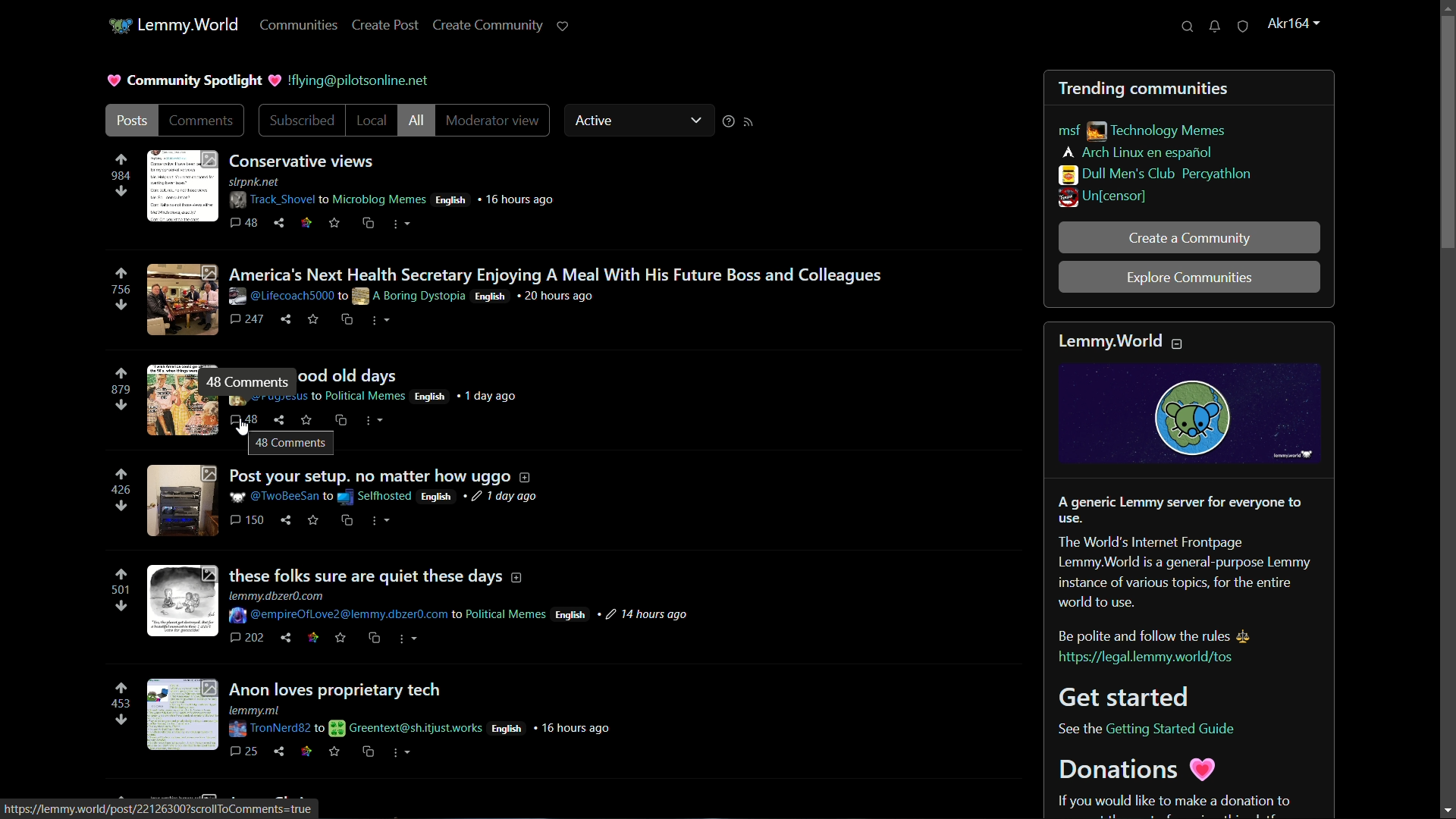  Describe the element at coordinates (121, 507) in the screenshot. I see `downvote` at that location.